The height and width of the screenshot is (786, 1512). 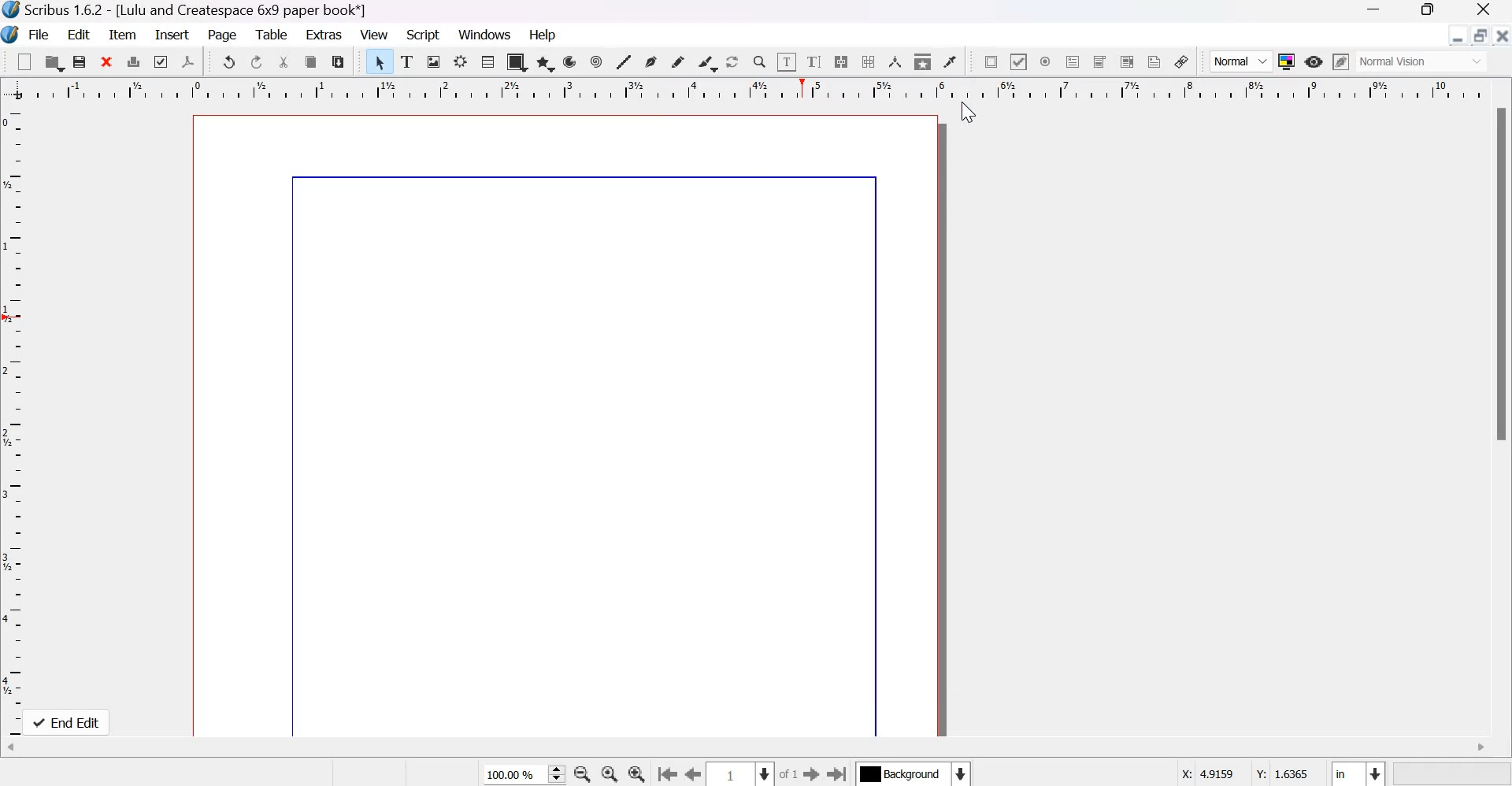 What do you see at coordinates (24, 61) in the screenshot?
I see `New` at bounding box center [24, 61].